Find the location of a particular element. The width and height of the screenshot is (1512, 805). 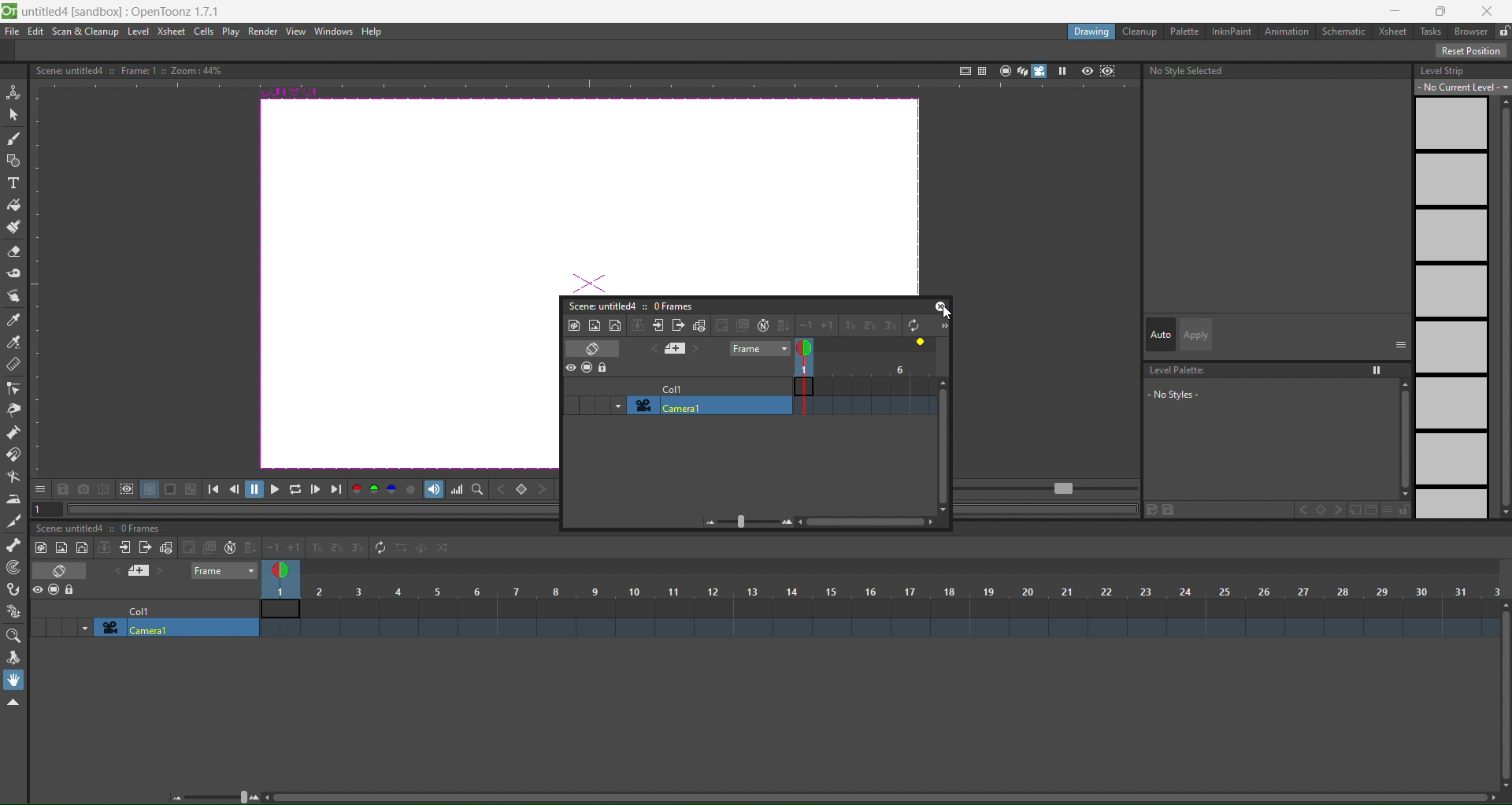

zoom is located at coordinates (766, 521).